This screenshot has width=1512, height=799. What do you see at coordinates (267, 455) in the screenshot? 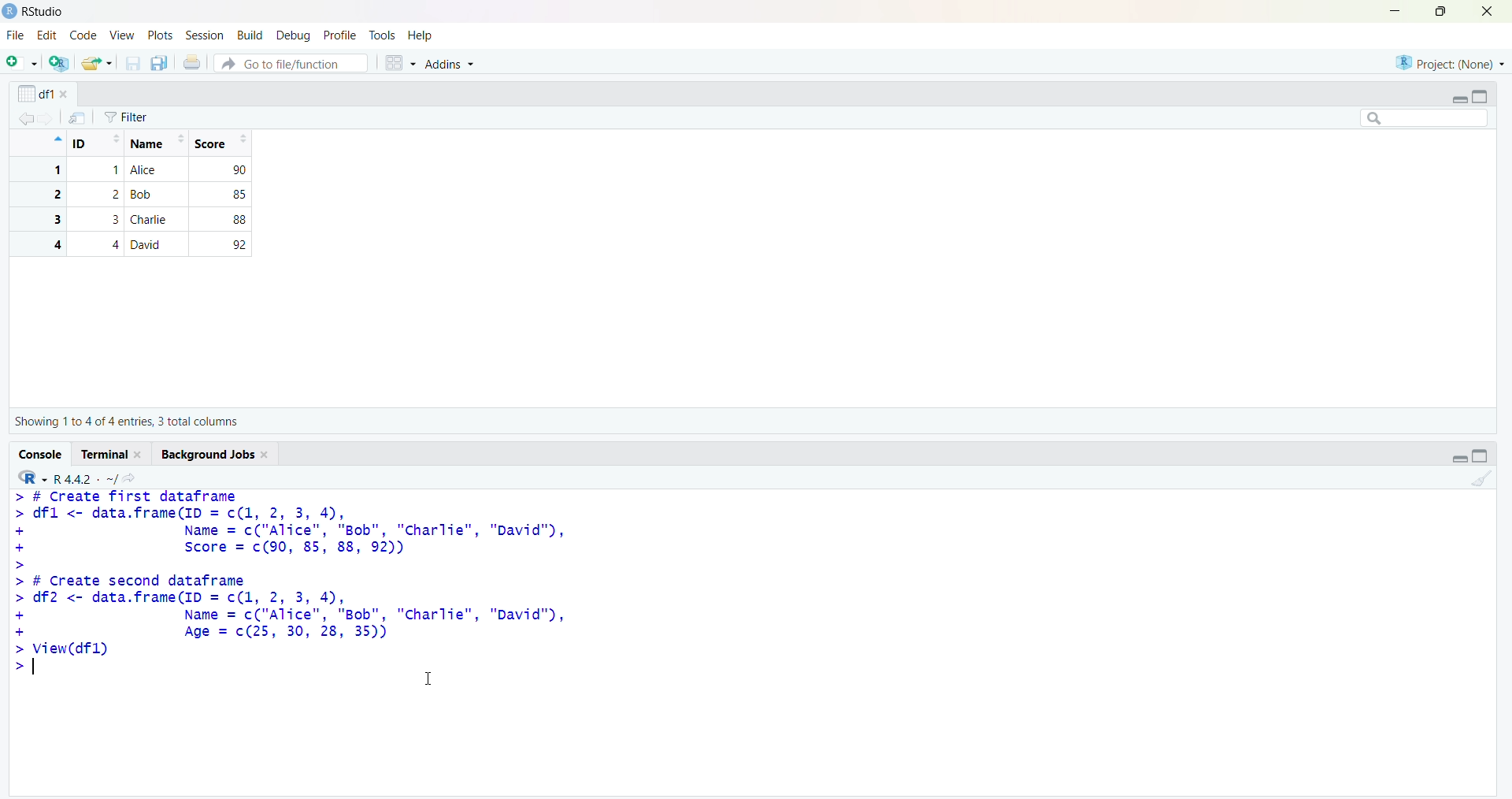
I see `close` at bounding box center [267, 455].